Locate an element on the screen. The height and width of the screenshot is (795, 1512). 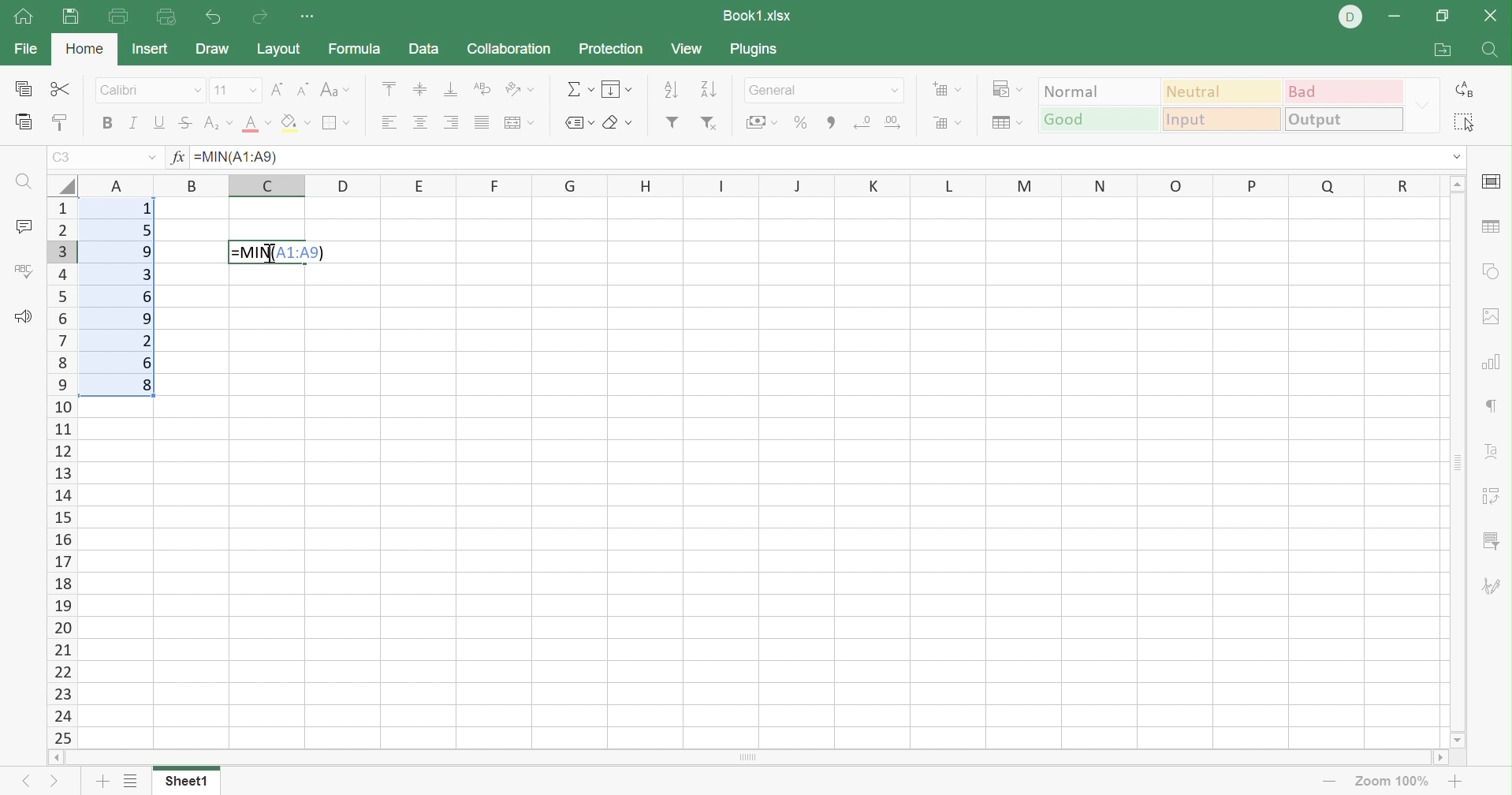
Orientation is located at coordinates (520, 89).